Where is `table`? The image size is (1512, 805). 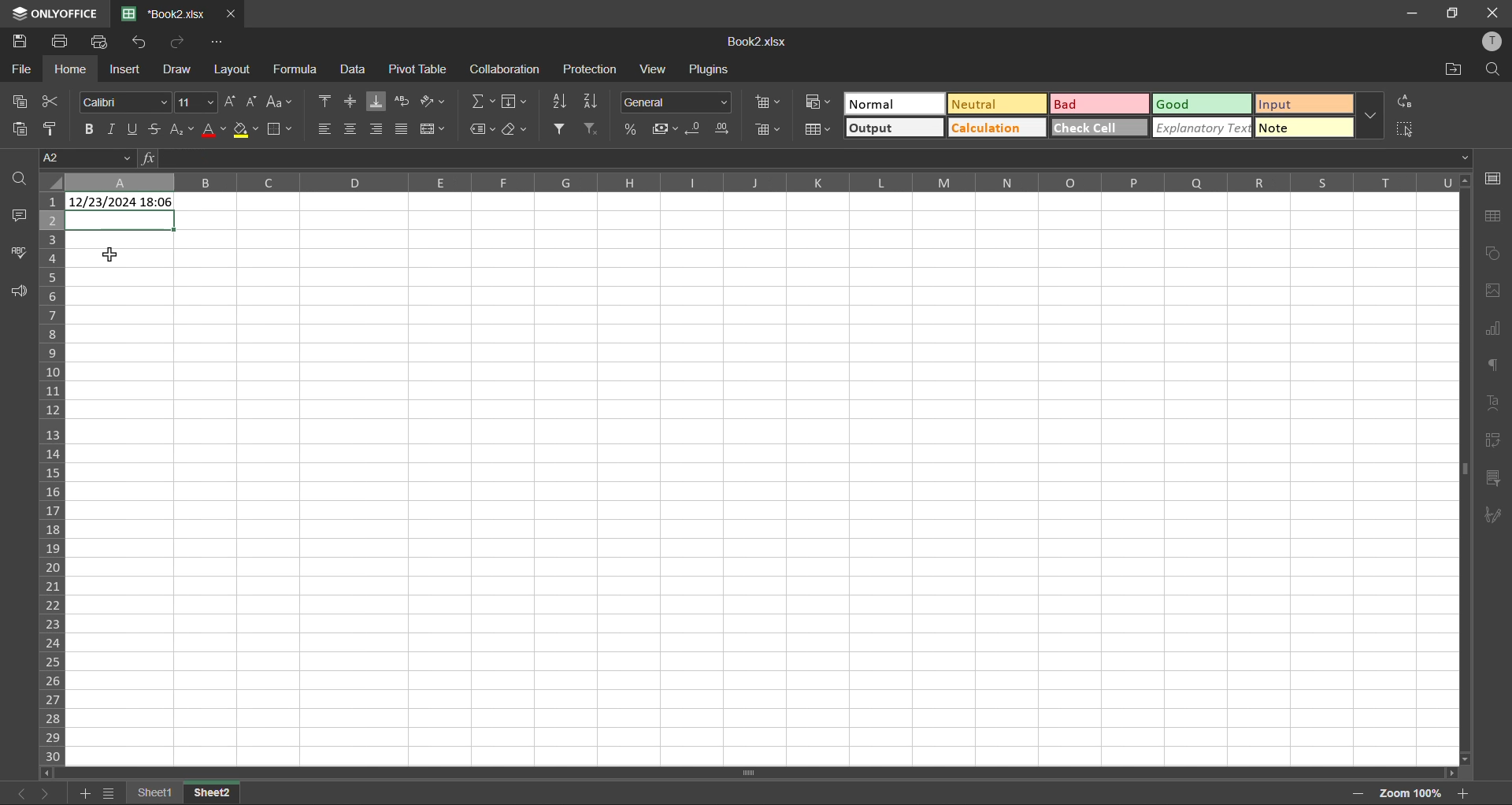 table is located at coordinates (1495, 217).